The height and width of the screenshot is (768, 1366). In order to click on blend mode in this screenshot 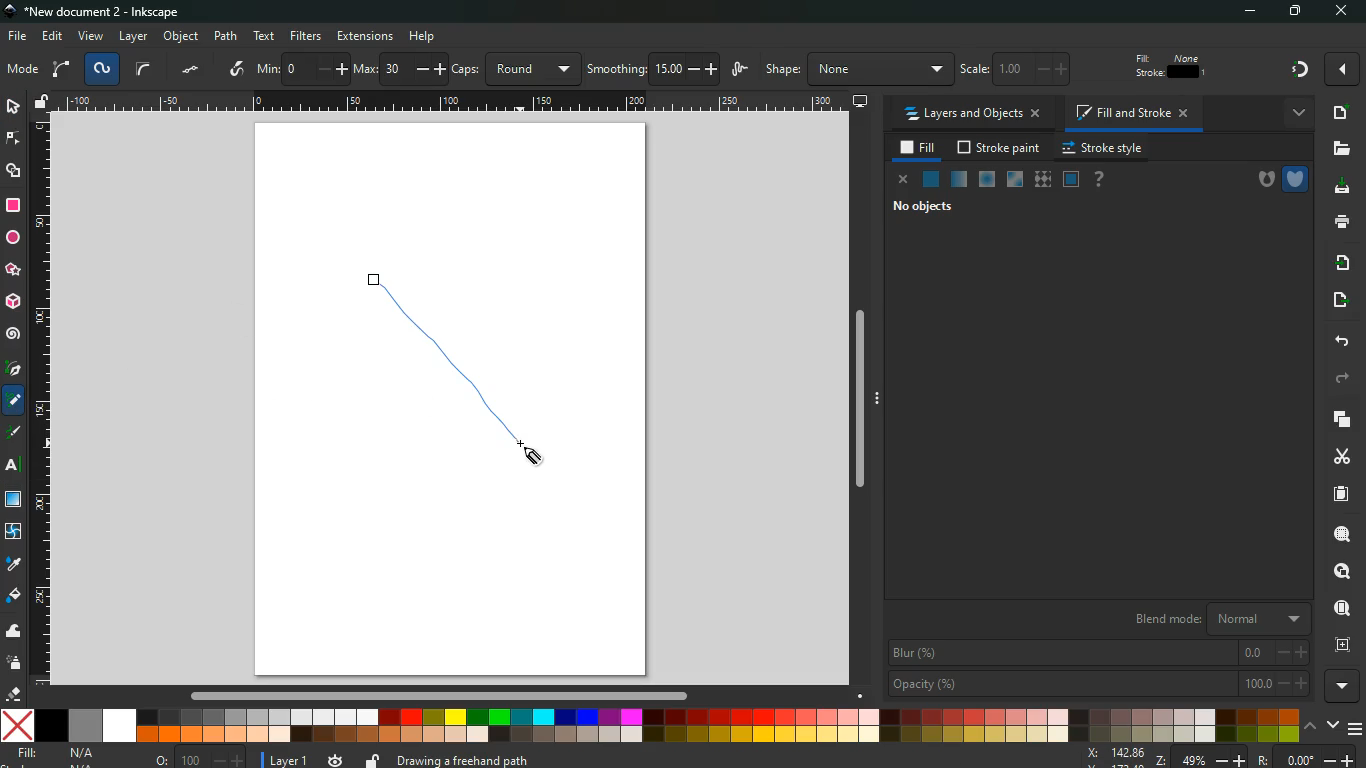, I will do `click(1207, 617)`.